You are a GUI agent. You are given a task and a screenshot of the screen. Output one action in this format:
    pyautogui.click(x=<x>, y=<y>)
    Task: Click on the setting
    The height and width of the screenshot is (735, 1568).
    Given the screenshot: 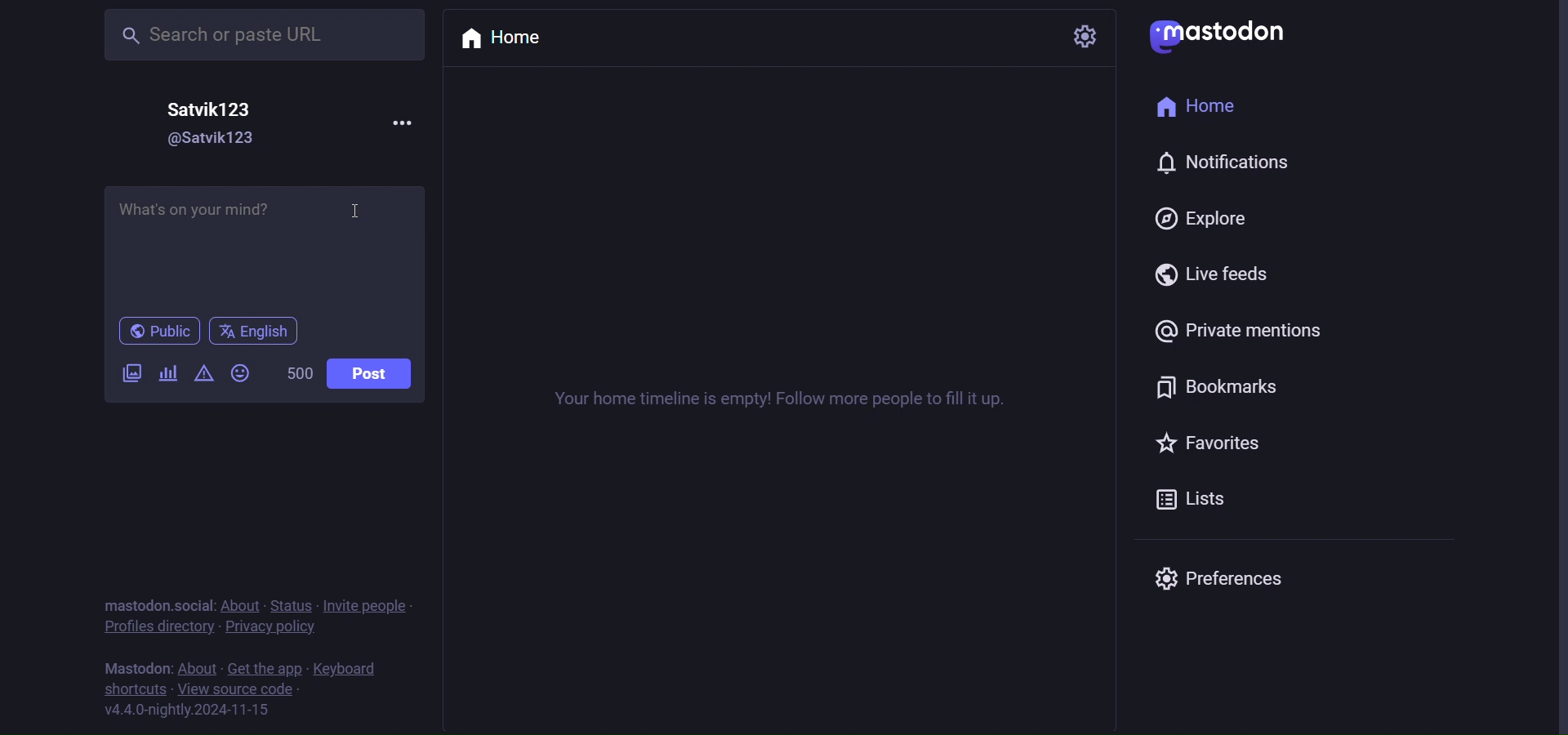 What is the action you would take?
    pyautogui.click(x=1084, y=36)
    